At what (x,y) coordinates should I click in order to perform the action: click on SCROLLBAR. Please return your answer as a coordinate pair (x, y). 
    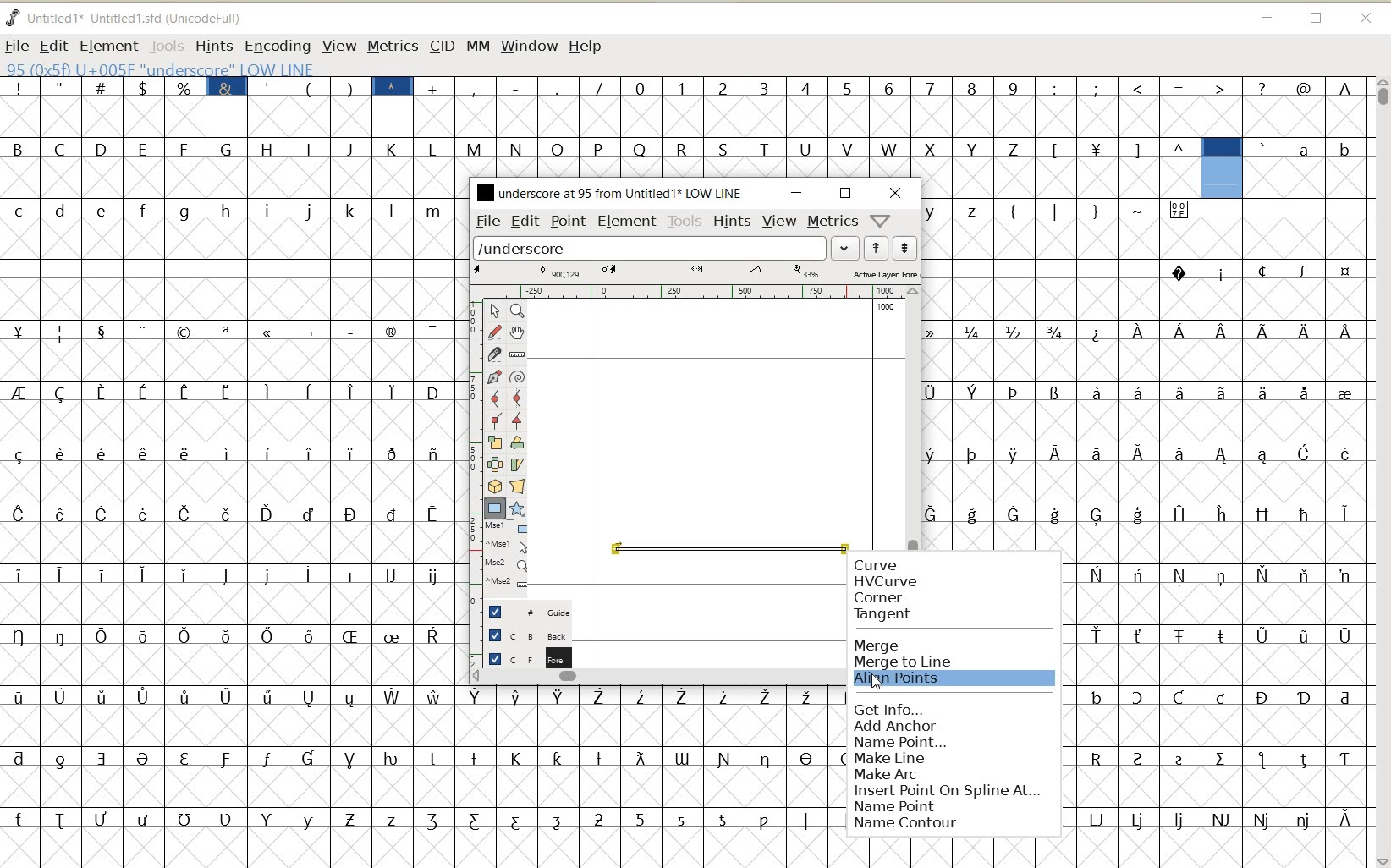
    Looking at the image, I should click on (659, 677).